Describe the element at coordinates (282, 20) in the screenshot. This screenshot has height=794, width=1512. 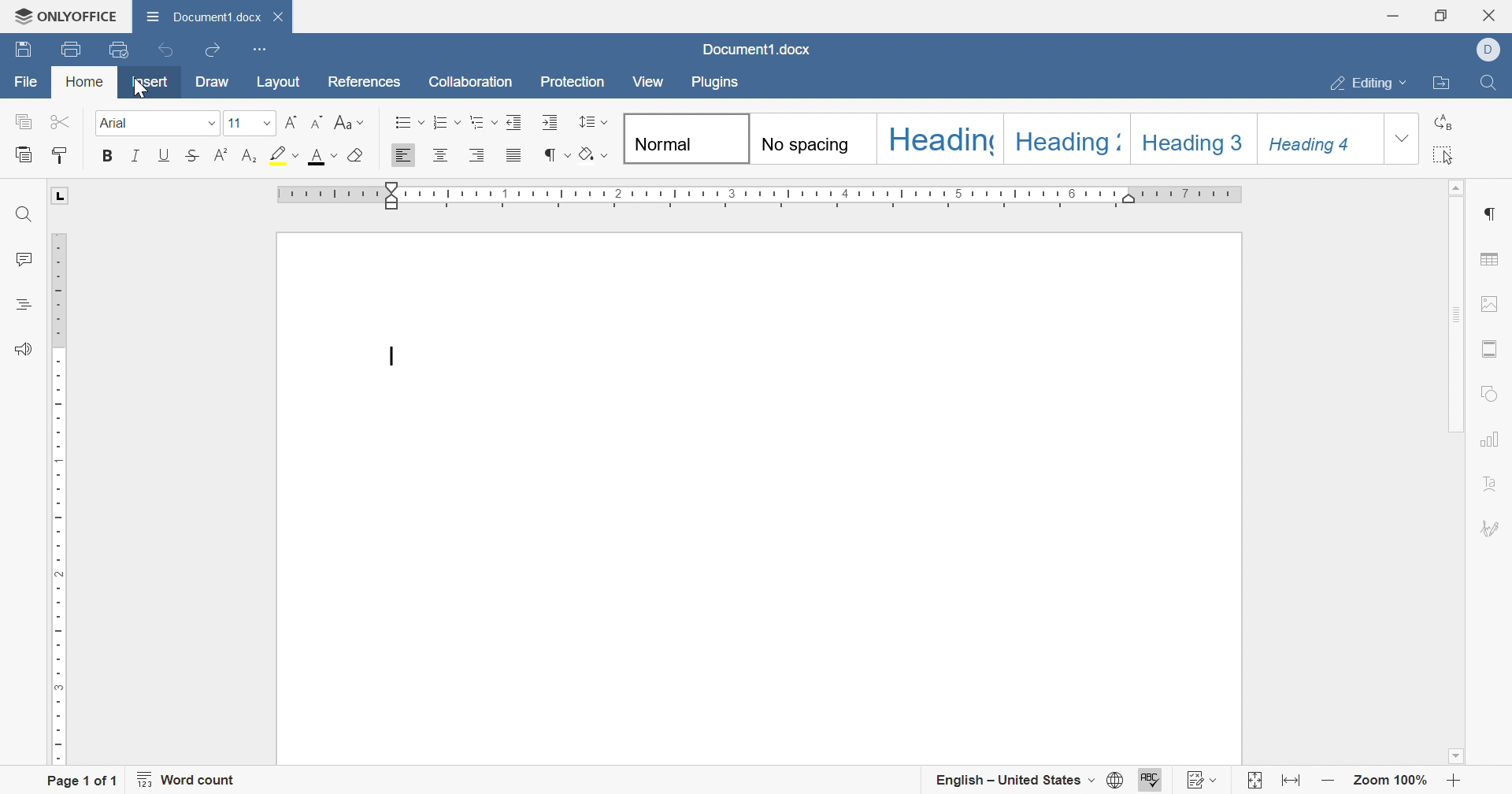
I see `Delete` at that location.